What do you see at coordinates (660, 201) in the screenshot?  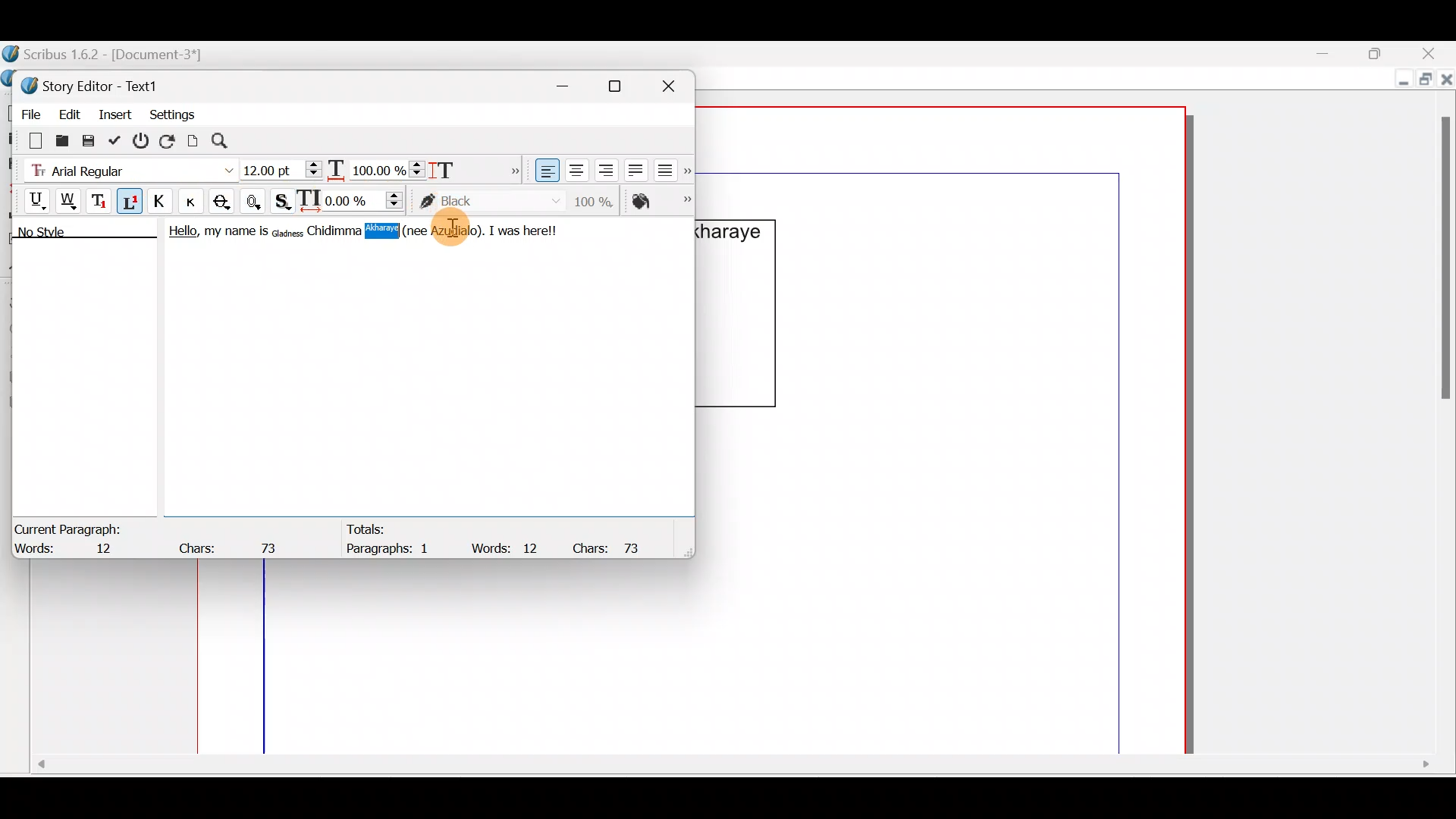 I see `Color of text fill` at bounding box center [660, 201].